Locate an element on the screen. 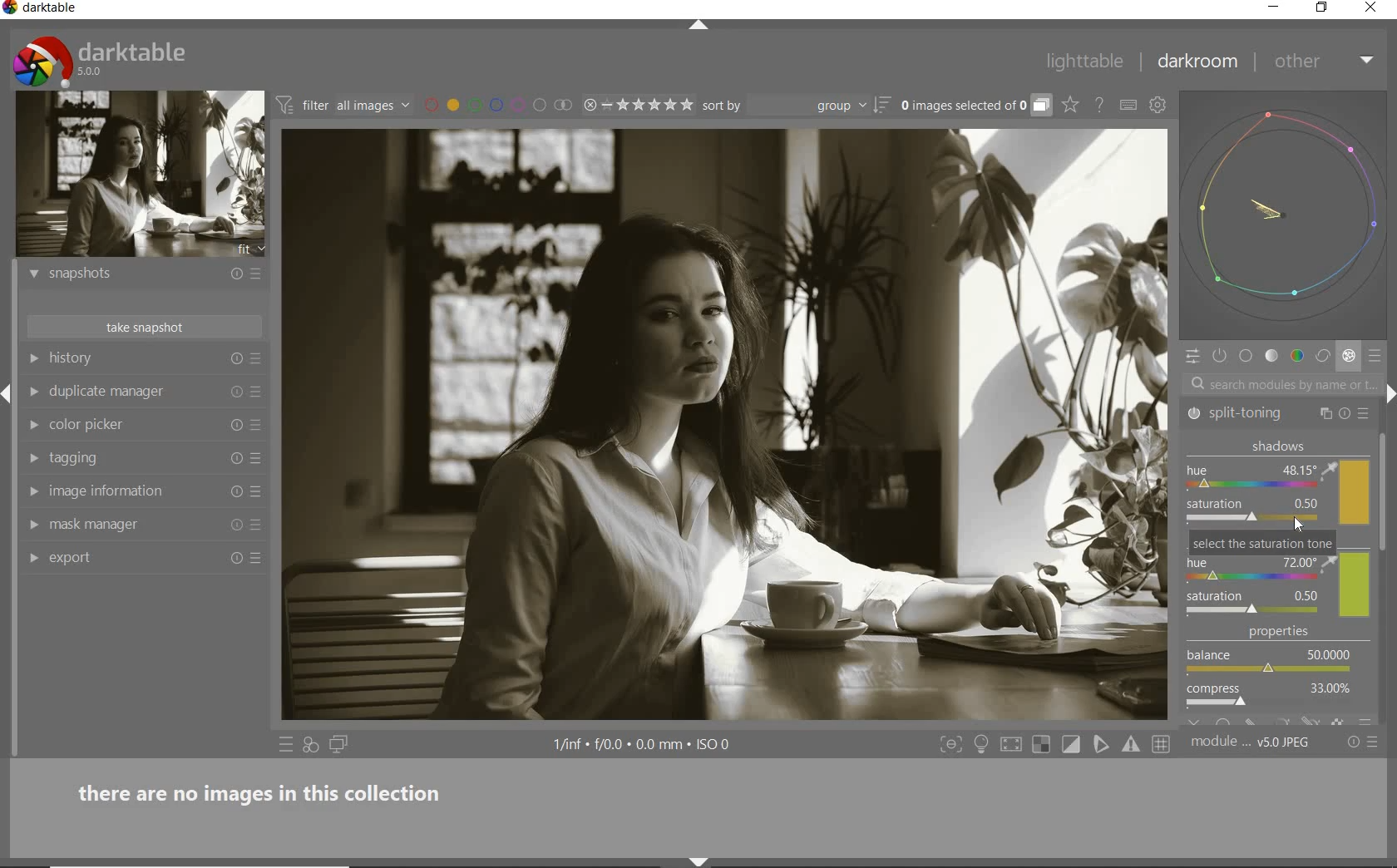 The height and width of the screenshot is (868, 1397). selected image is located at coordinates (725, 429).